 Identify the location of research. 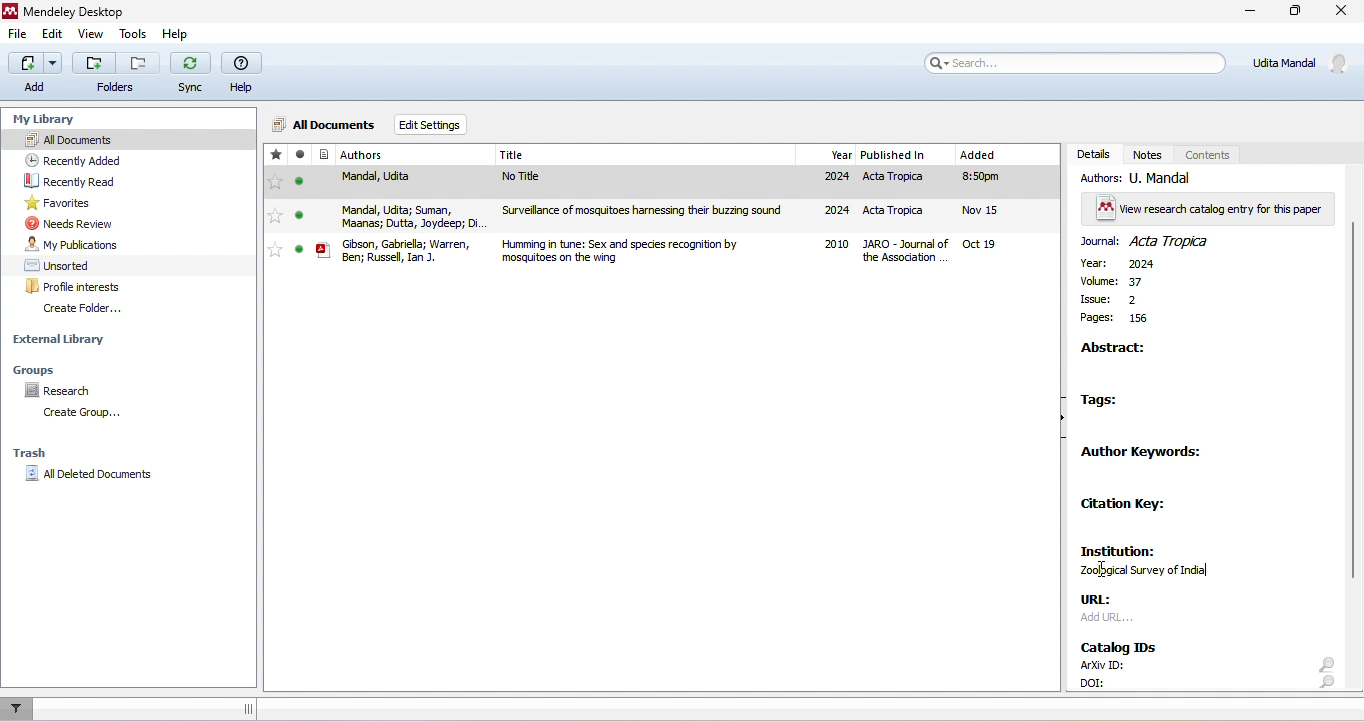
(67, 391).